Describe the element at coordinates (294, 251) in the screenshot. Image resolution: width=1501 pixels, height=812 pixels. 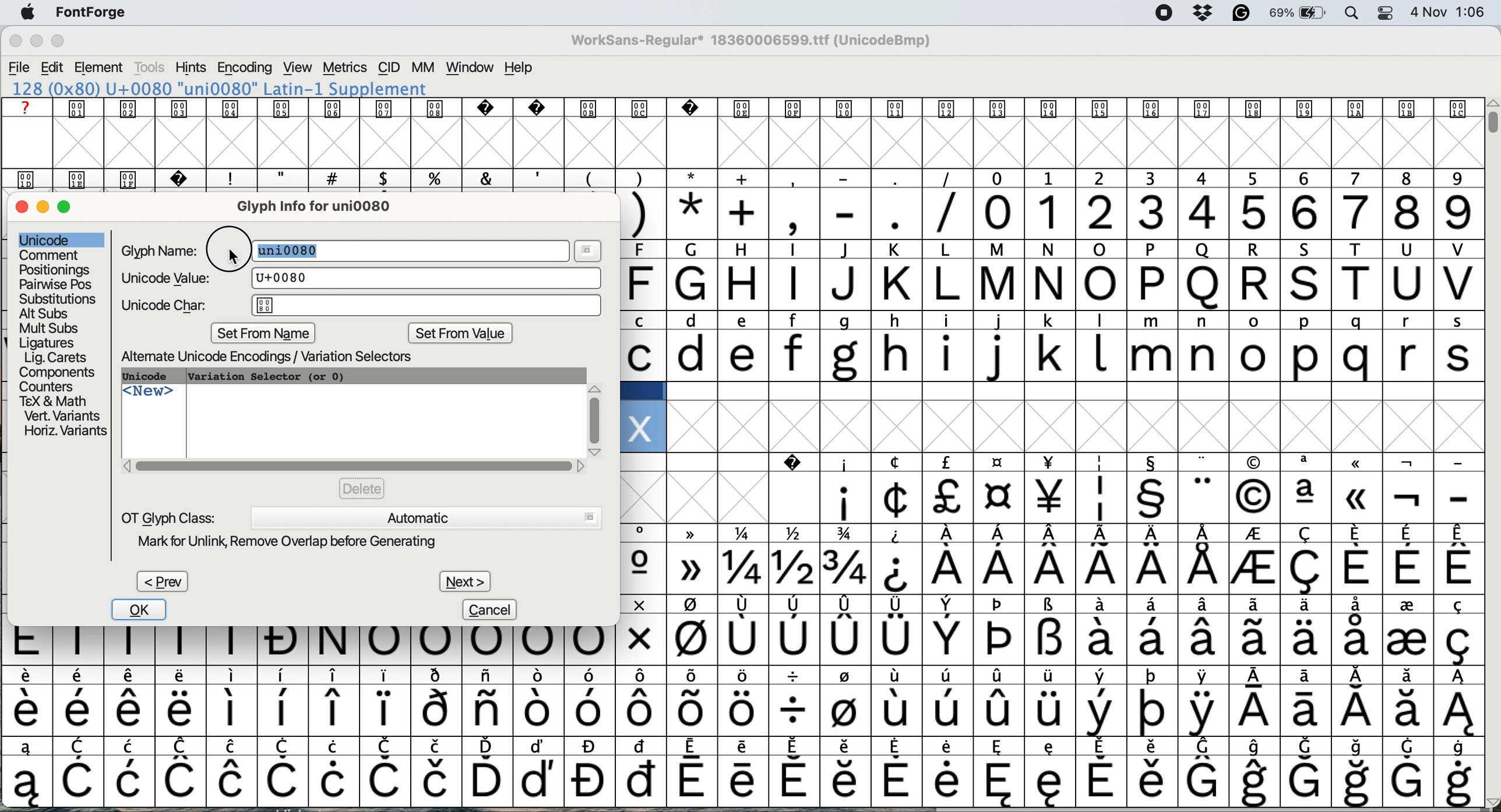
I see `highlight text` at that location.